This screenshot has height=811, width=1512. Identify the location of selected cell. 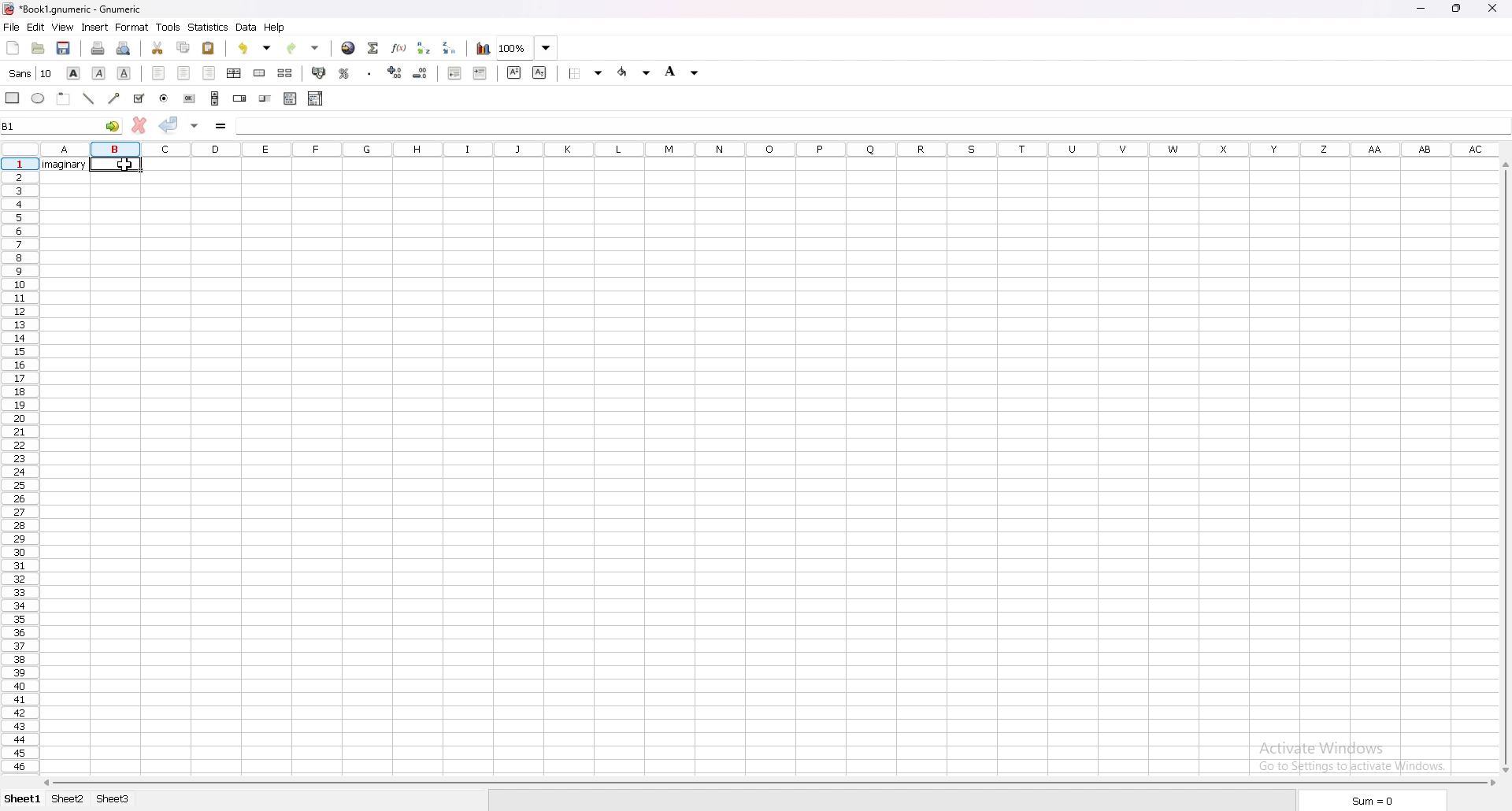
(116, 164).